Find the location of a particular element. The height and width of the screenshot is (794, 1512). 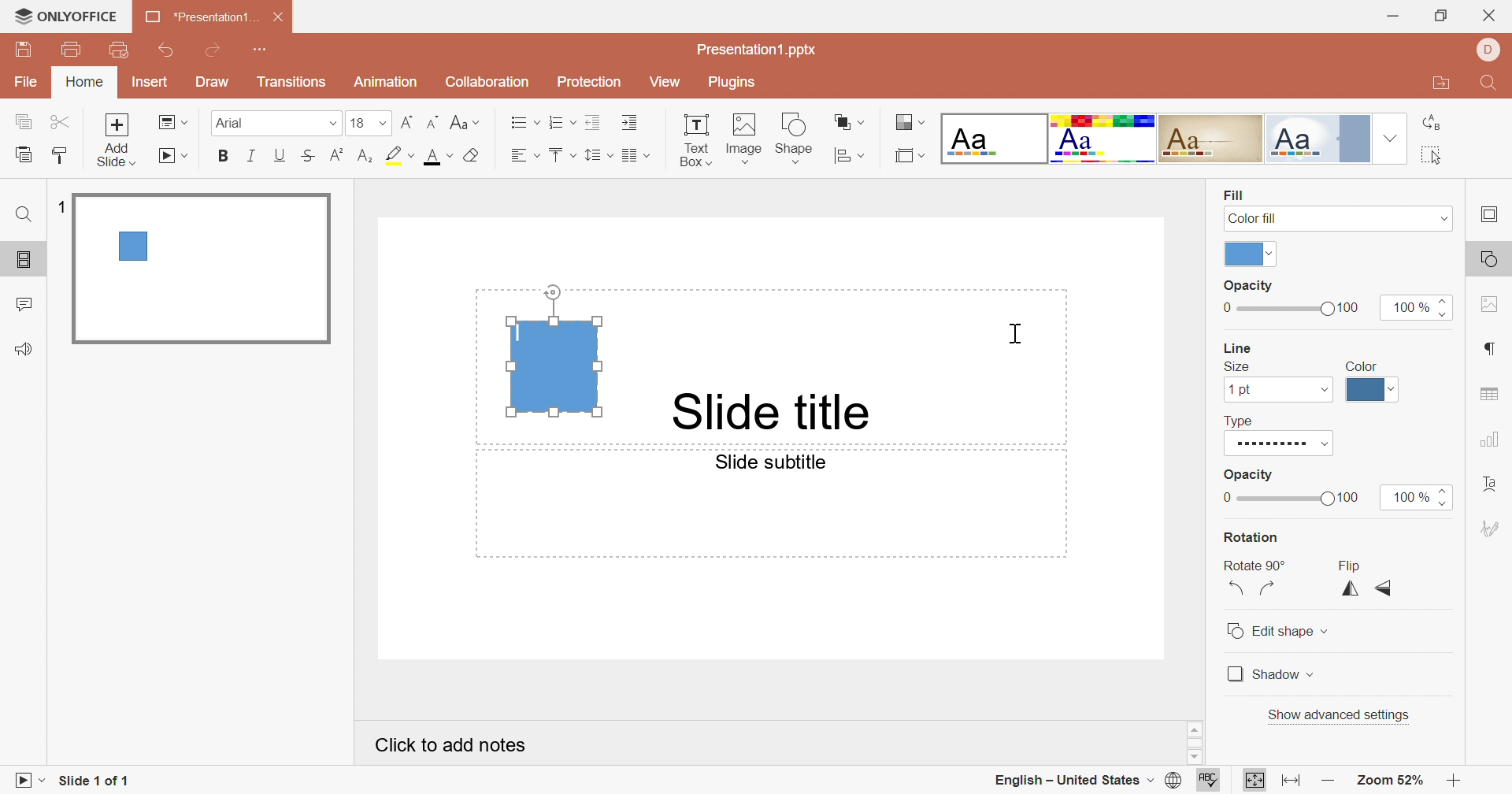

Minimize is located at coordinates (1392, 17).